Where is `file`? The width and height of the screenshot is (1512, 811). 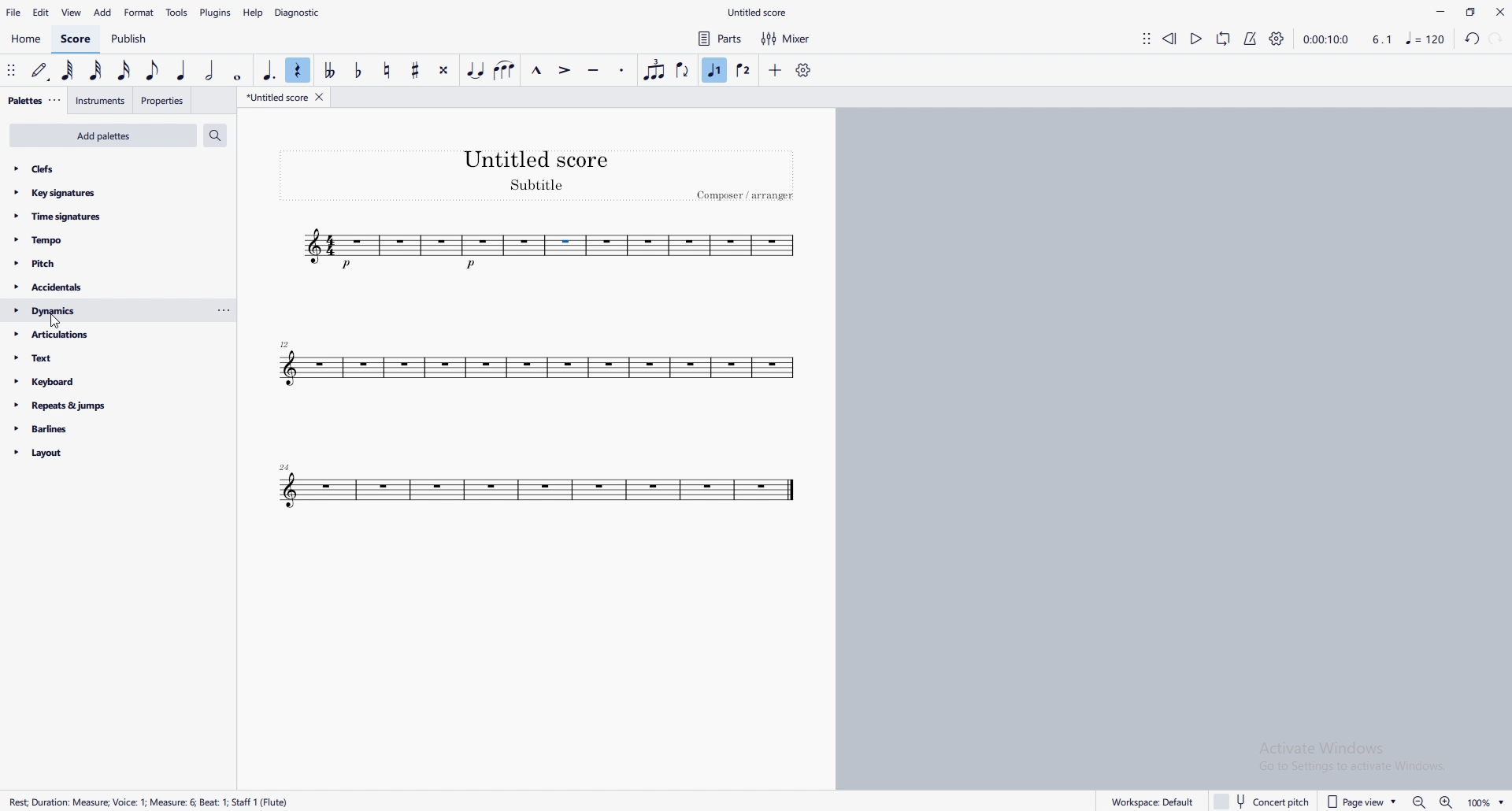
file is located at coordinates (14, 13).